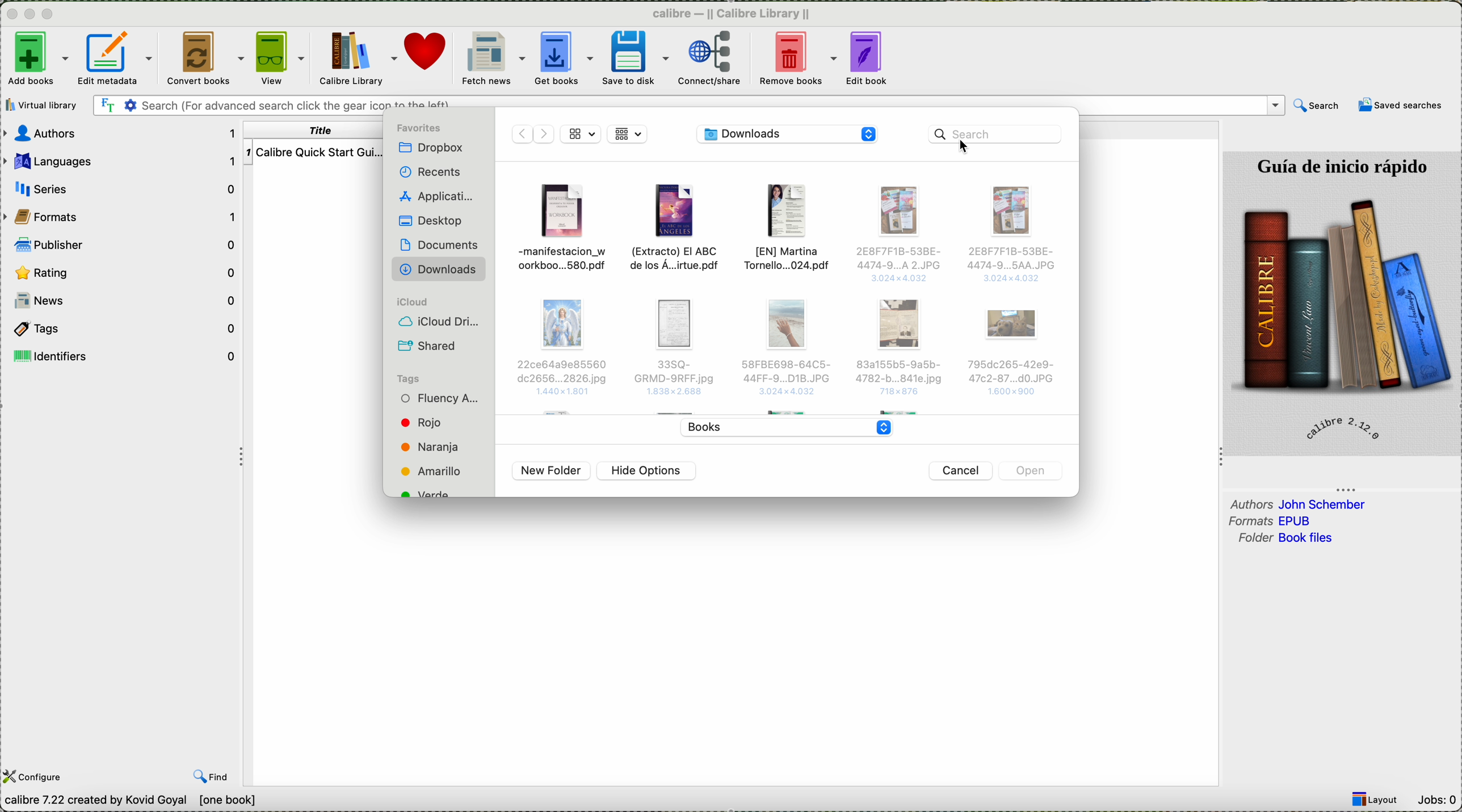  I want to click on grid view, so click(581, 133).